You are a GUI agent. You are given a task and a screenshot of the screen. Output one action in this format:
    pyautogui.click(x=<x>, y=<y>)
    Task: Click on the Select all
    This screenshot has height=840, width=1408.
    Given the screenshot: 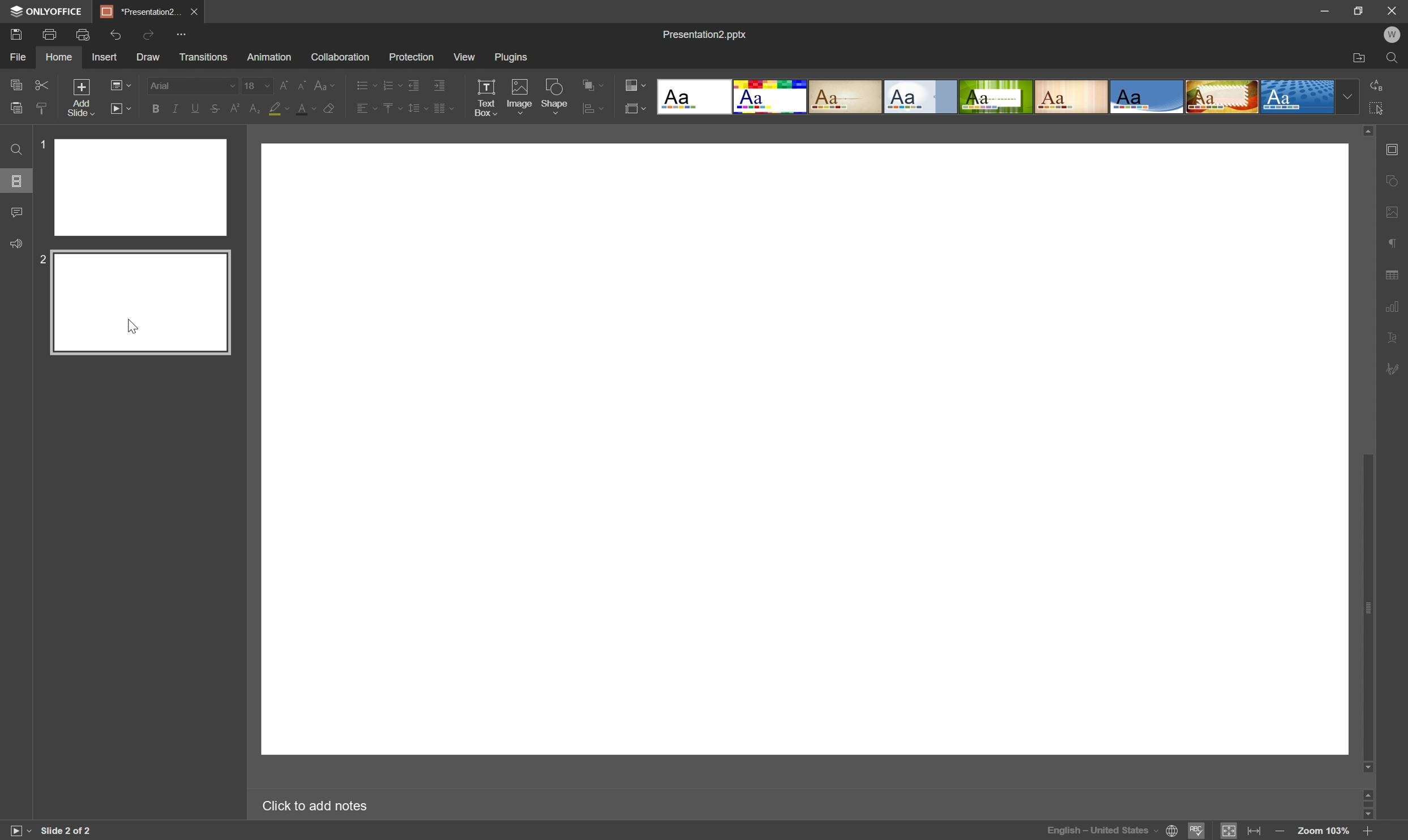 What is the action you would take?
    pyautogui.click(x=1377, y=106)
    